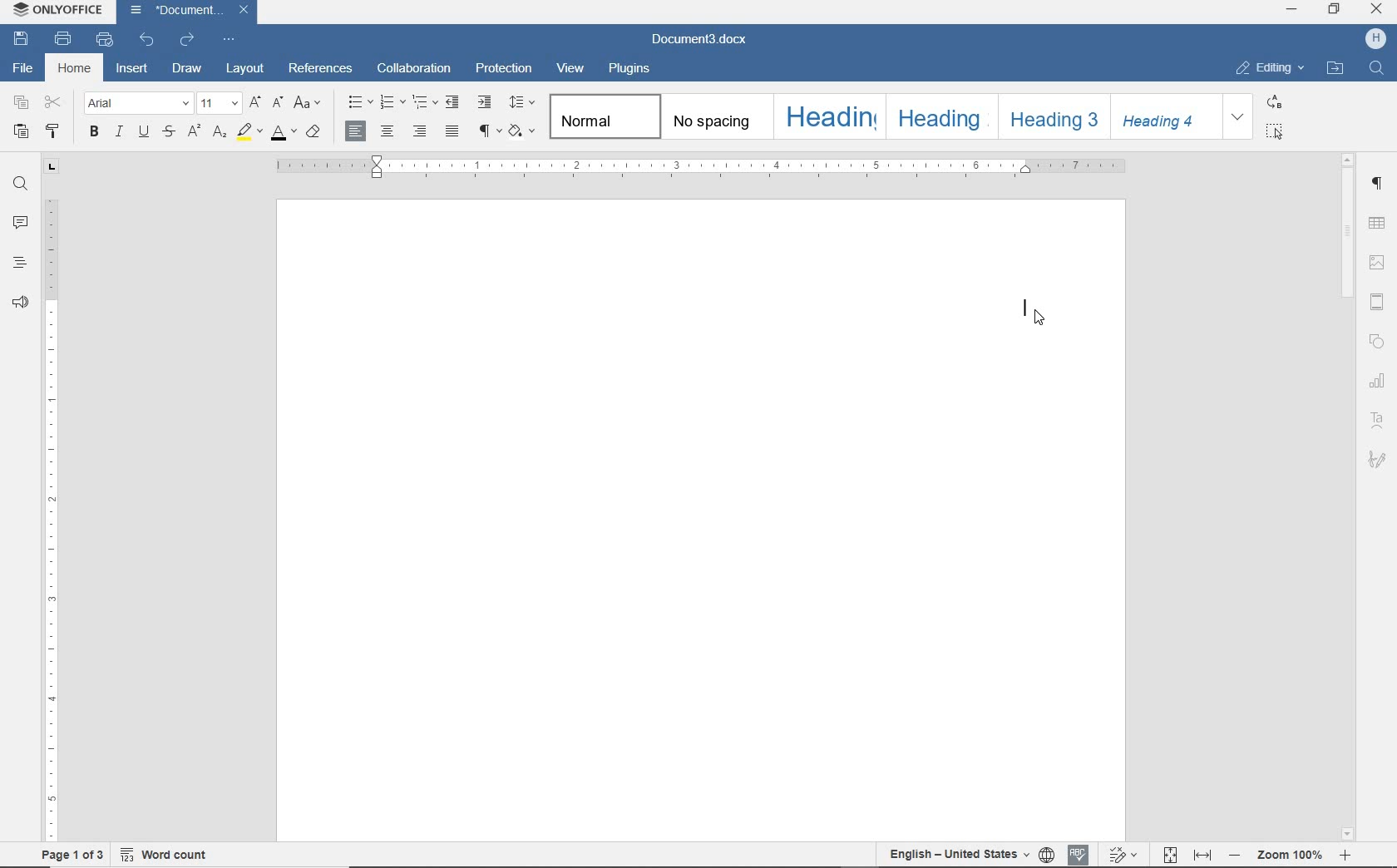 The height and width of the screenshot is (868, 1397). What do you see at coordinates (1380, 303) in the screenshot?
I see `HEADER & FOOTER` at bounding box center [1380, 303].